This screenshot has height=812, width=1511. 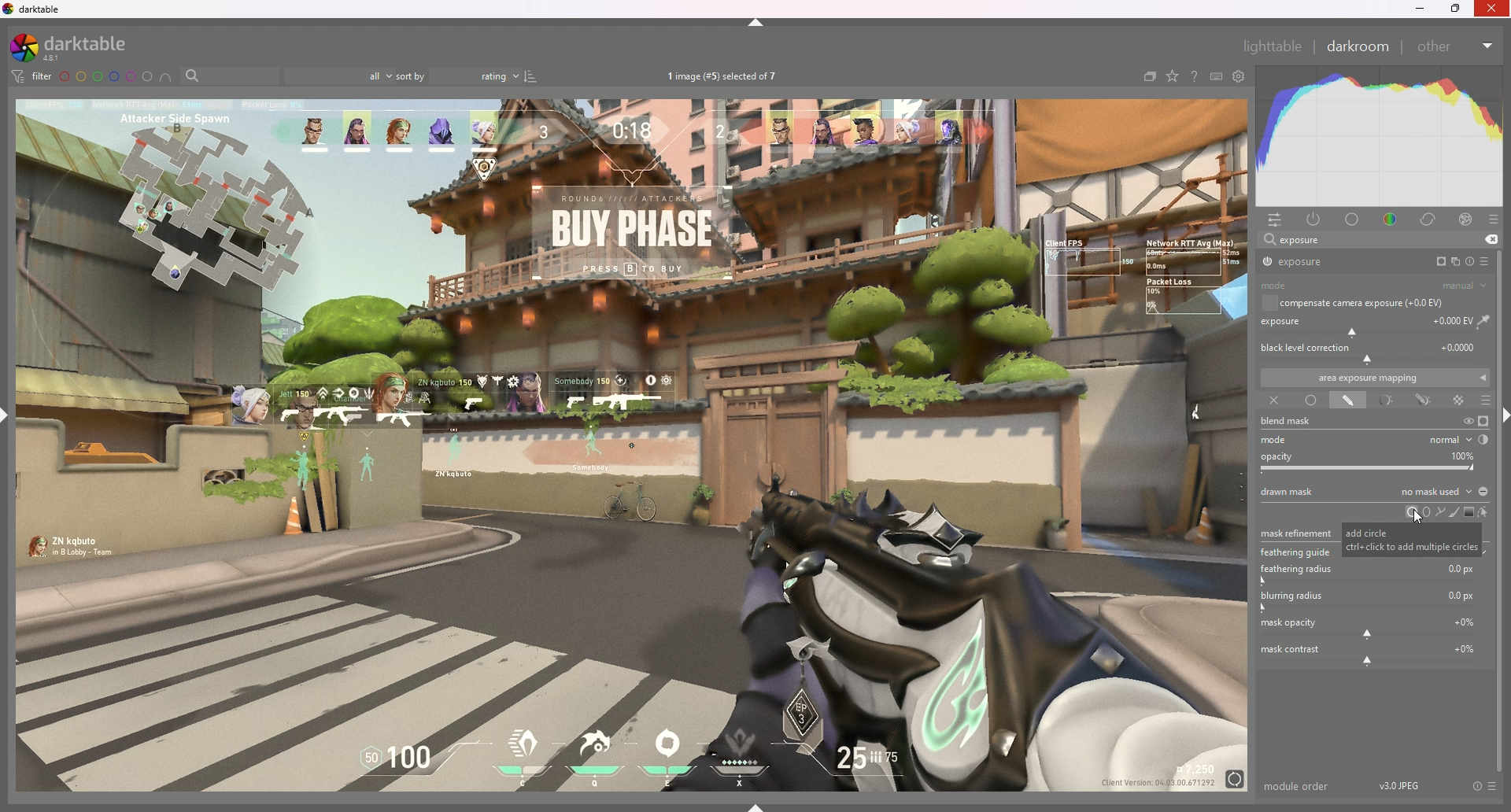 What do you see at coordinates (340, 76) in the screenshot?
I see `filter by images rating` at bounding box center [340, 76].